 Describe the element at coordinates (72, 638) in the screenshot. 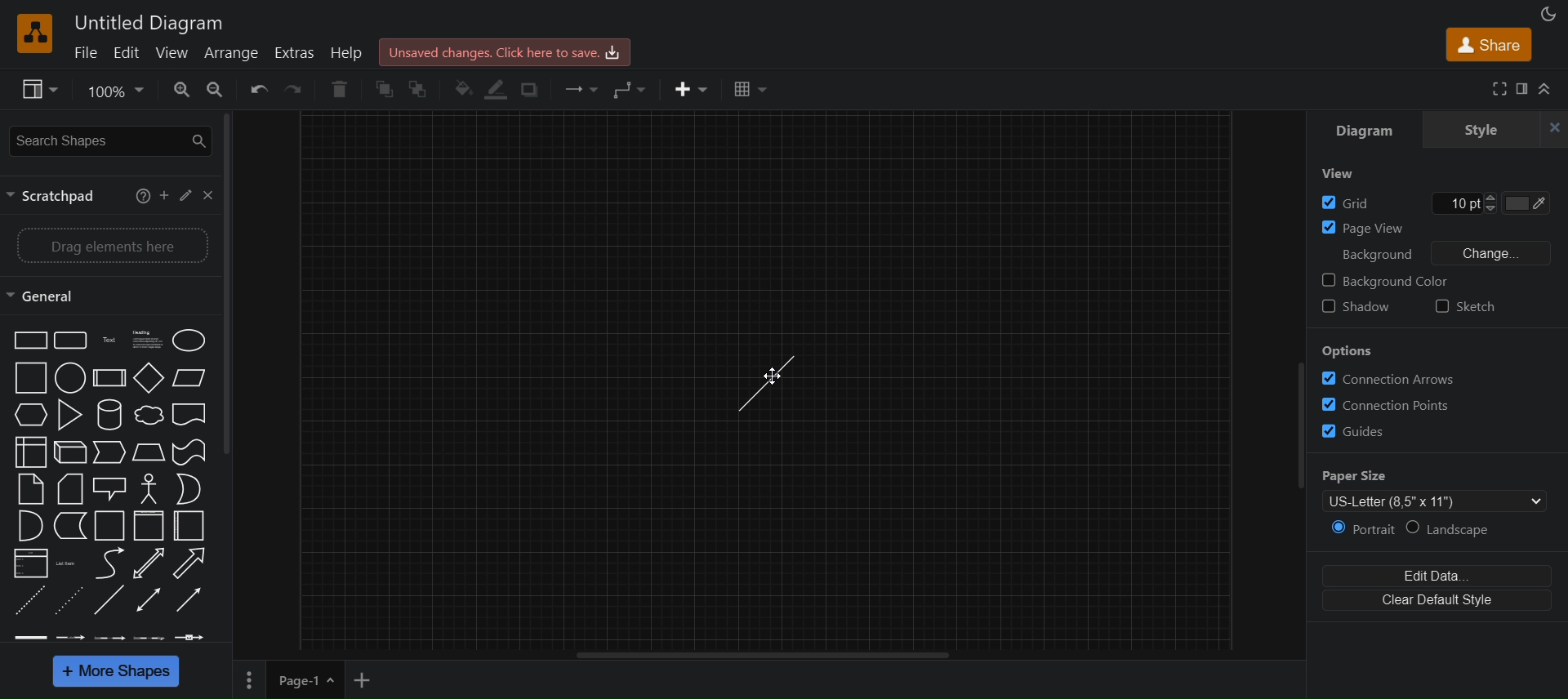

I see `connector 2` at that location.